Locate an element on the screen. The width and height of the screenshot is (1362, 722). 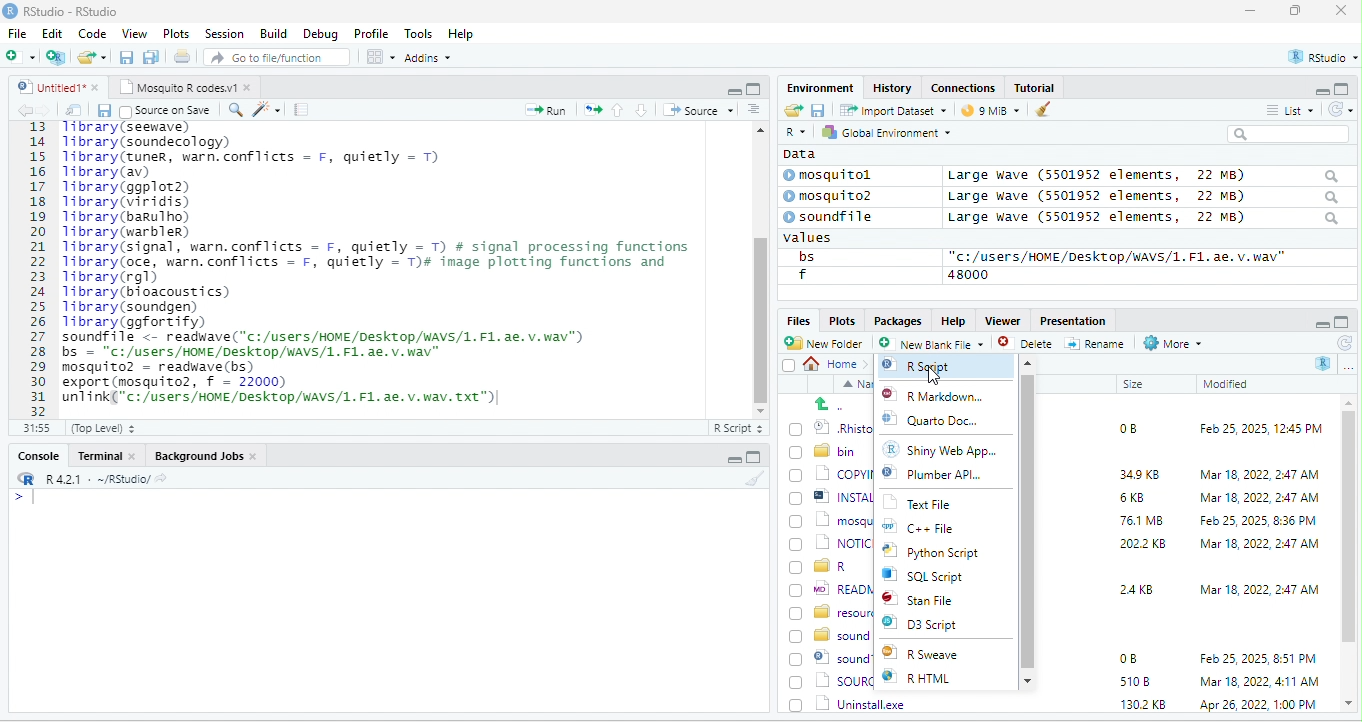
rstudio is located at coordinates (1319, 58).